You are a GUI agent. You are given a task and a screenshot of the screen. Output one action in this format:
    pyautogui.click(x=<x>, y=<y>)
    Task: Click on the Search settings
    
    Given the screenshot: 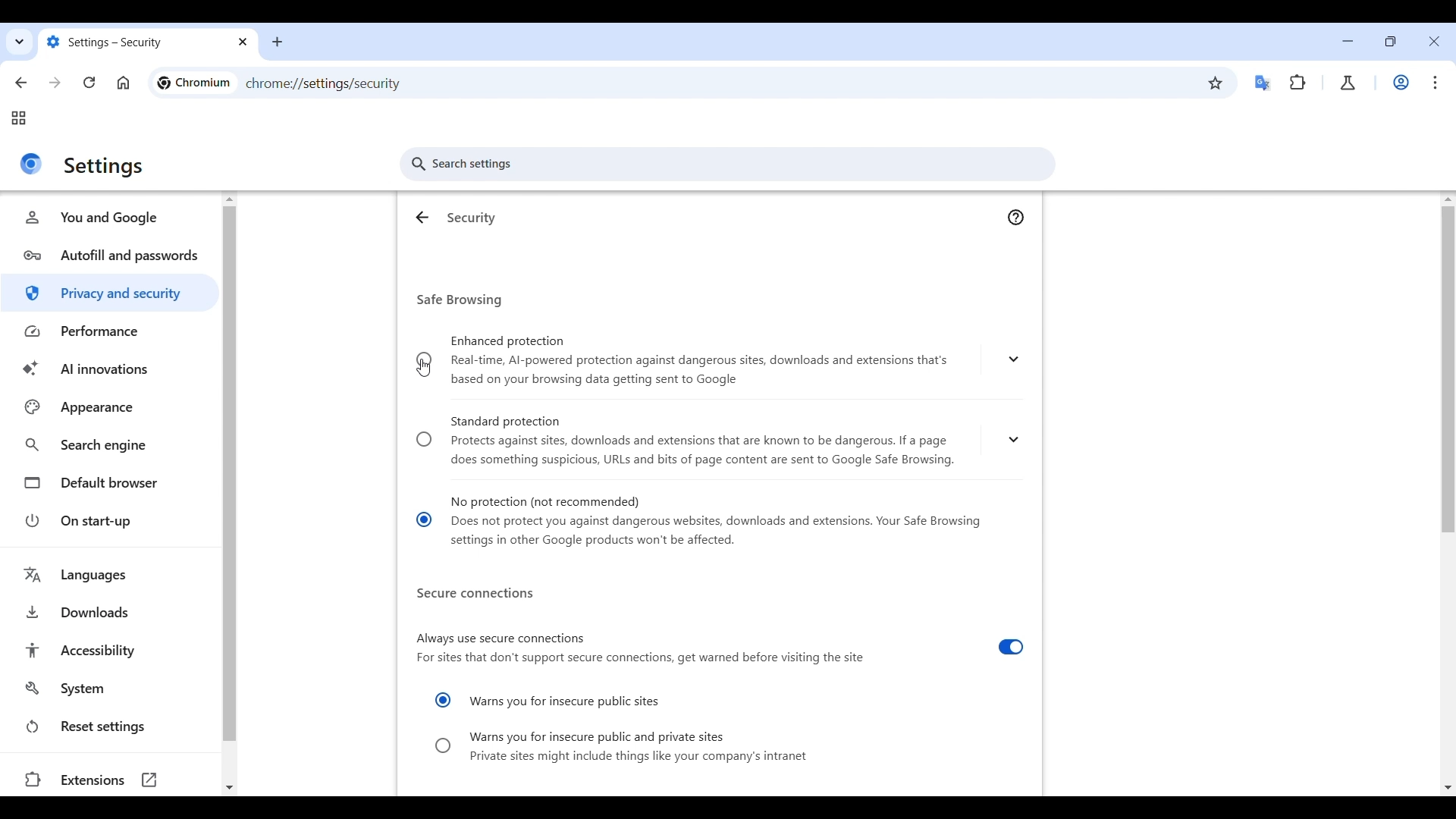 What is the action you would take?
    pyautogui.click(x=726, y=165)
    